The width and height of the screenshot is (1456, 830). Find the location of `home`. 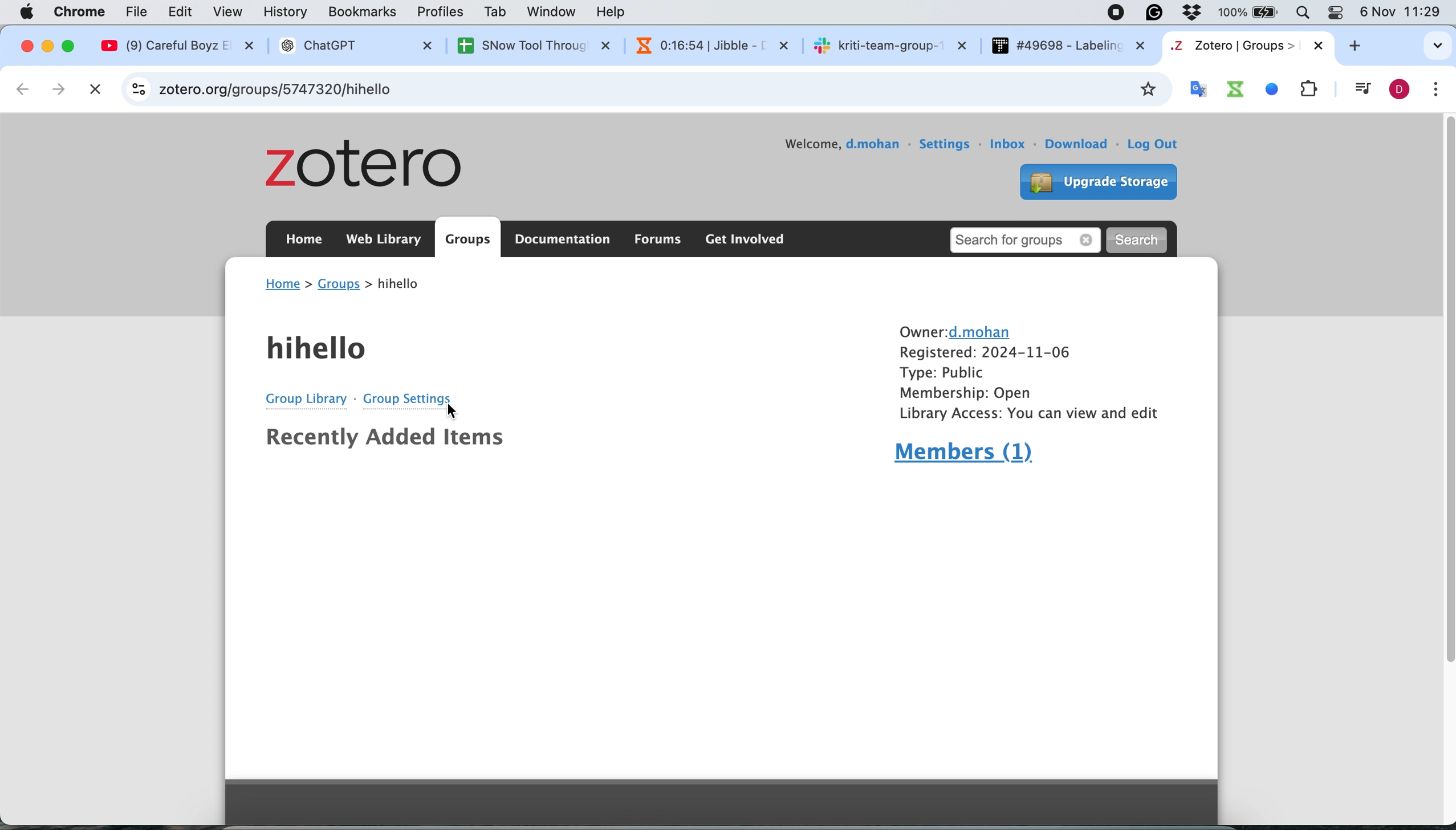

home is located at coordinates (283, 283).